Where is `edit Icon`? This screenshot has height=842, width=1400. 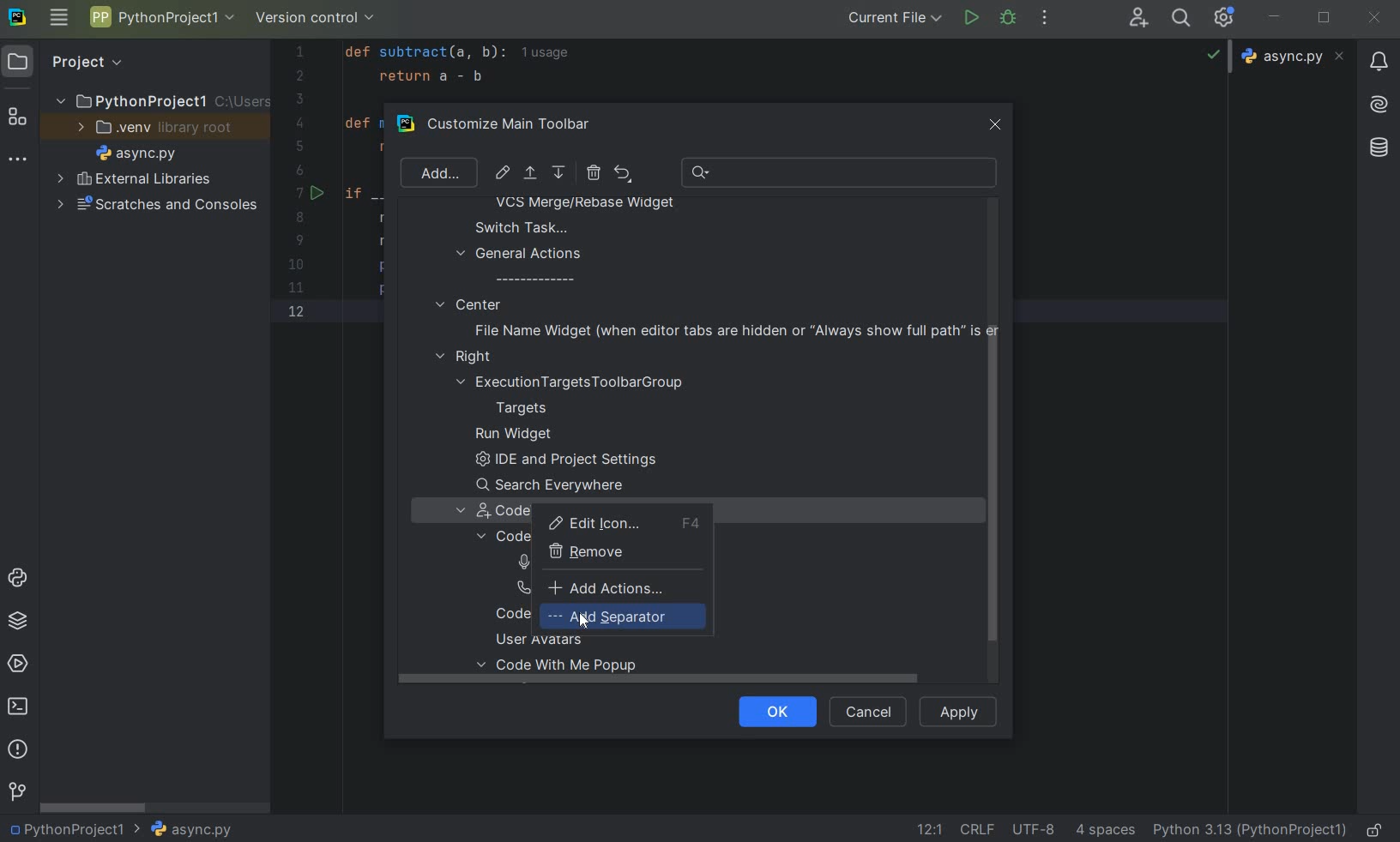
edit Icon is located at coordinates (624, 524).